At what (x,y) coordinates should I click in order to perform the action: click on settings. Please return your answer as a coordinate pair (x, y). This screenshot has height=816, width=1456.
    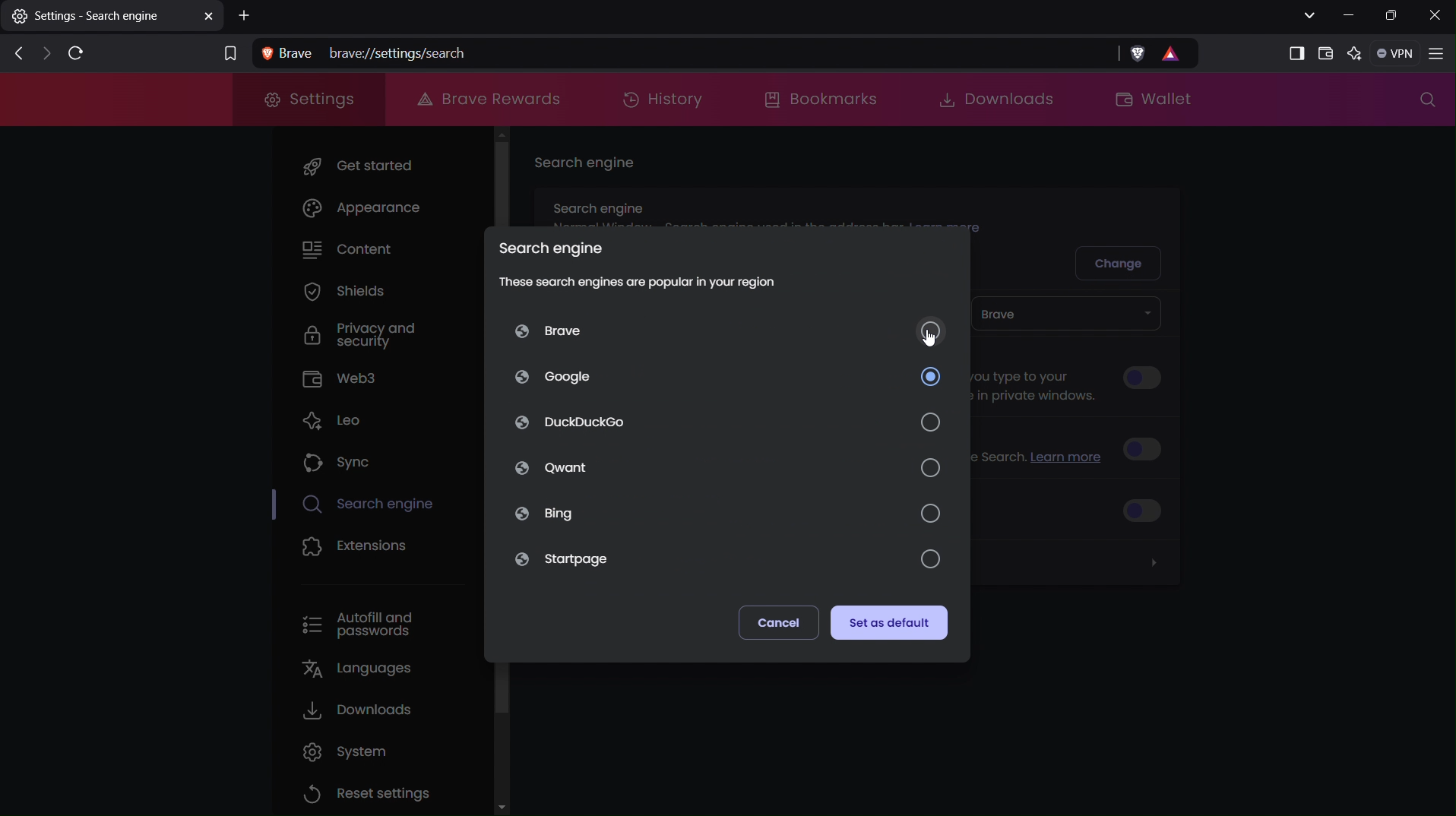
    Looking at the image, I should click on (113, 19).